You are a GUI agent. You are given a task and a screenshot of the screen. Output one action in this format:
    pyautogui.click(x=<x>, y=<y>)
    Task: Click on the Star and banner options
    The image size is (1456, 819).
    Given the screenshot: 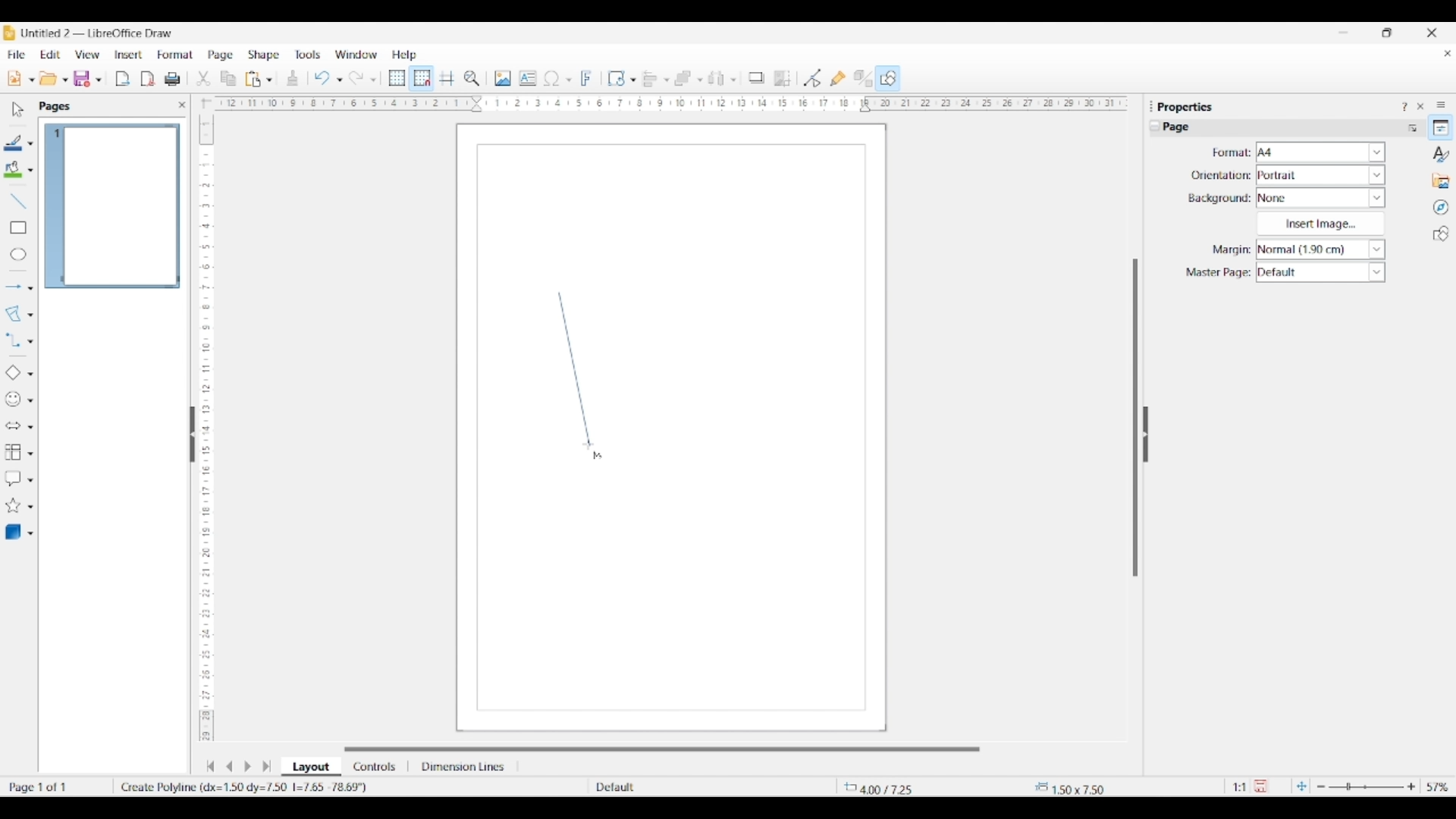 What is the action you would take?
    pyautogui.click(x=30, y=507)
    